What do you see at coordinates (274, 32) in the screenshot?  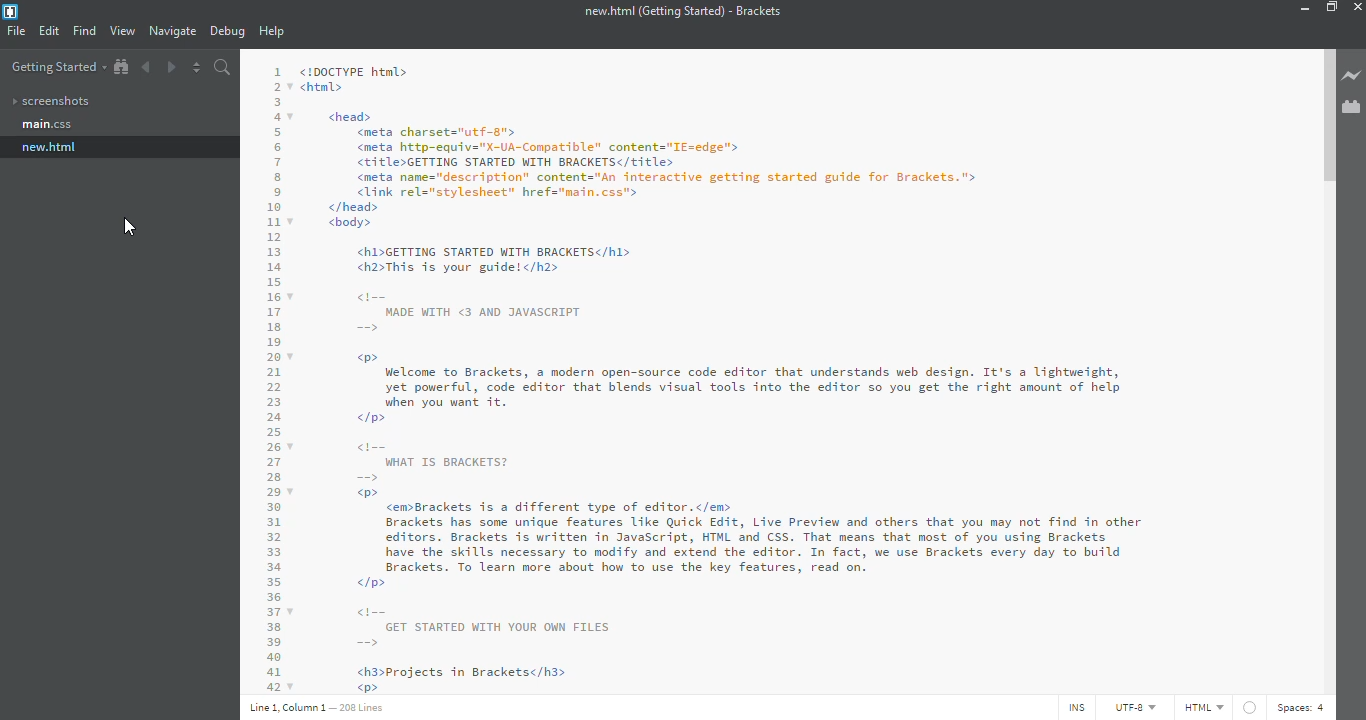 I see `help` at bounding box center [274, 32].